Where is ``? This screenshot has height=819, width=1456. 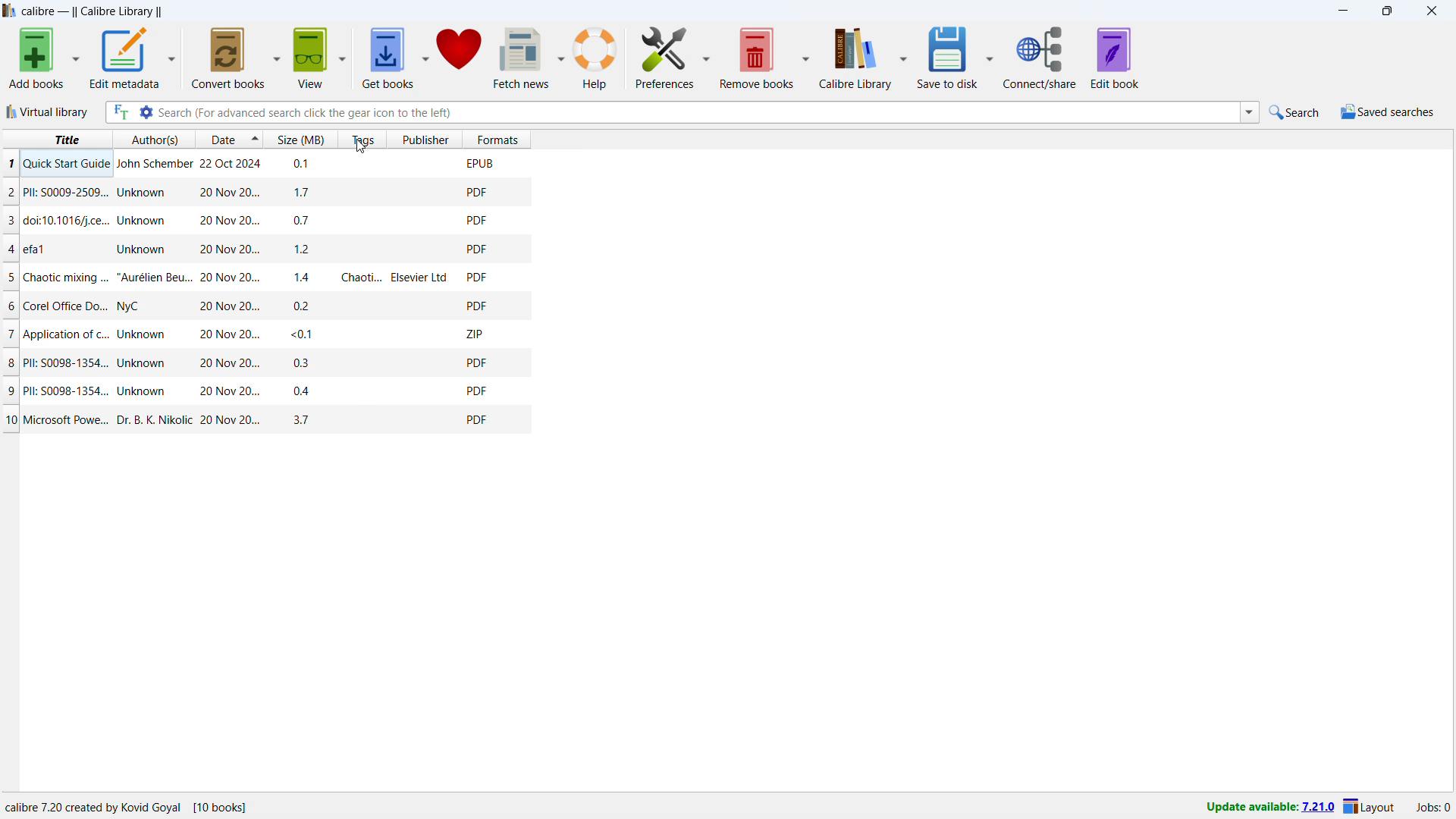
 is located at coordinates (460, 56).